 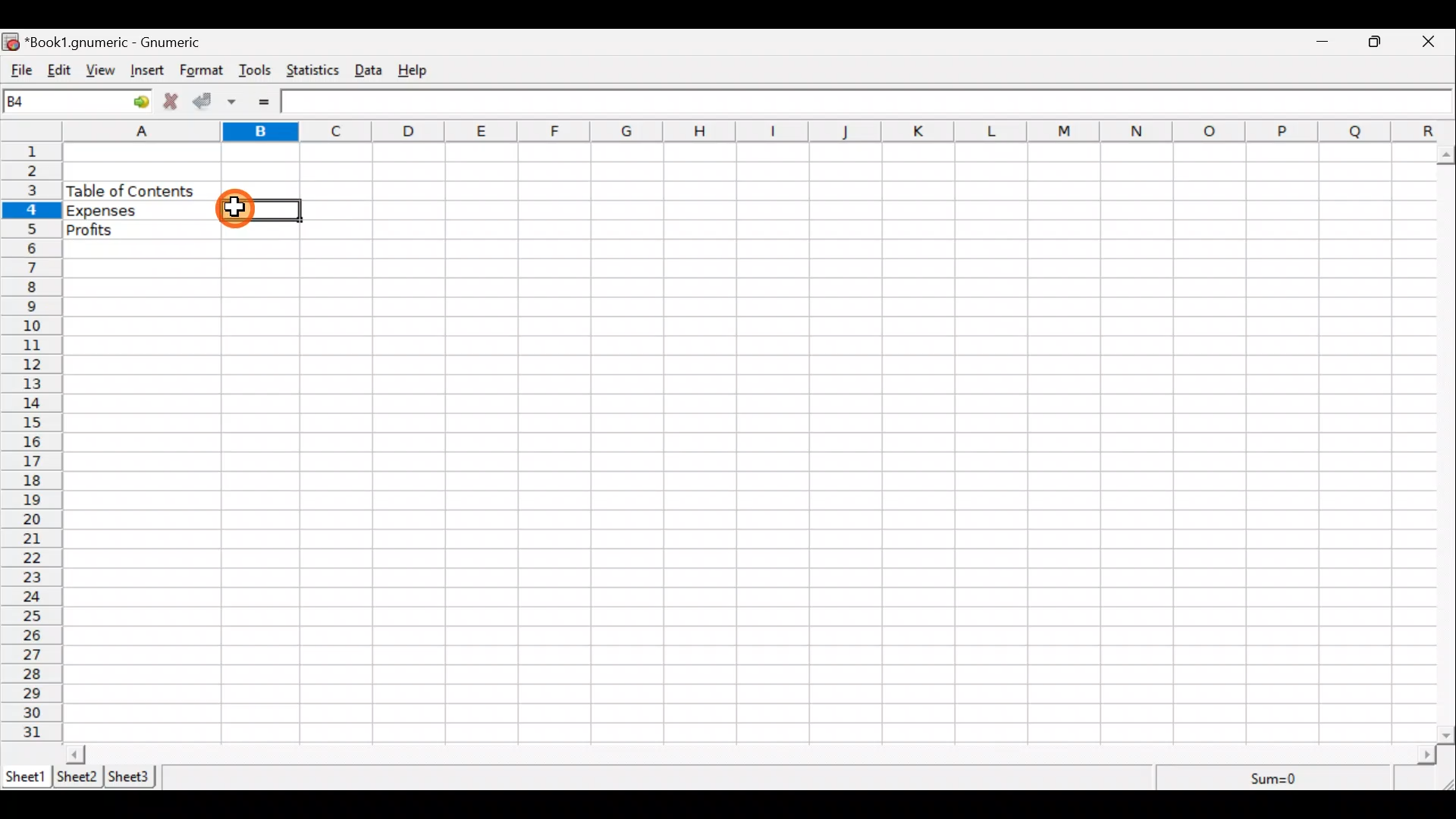 I want to click on Cancel change, so click(x=174, y=103).